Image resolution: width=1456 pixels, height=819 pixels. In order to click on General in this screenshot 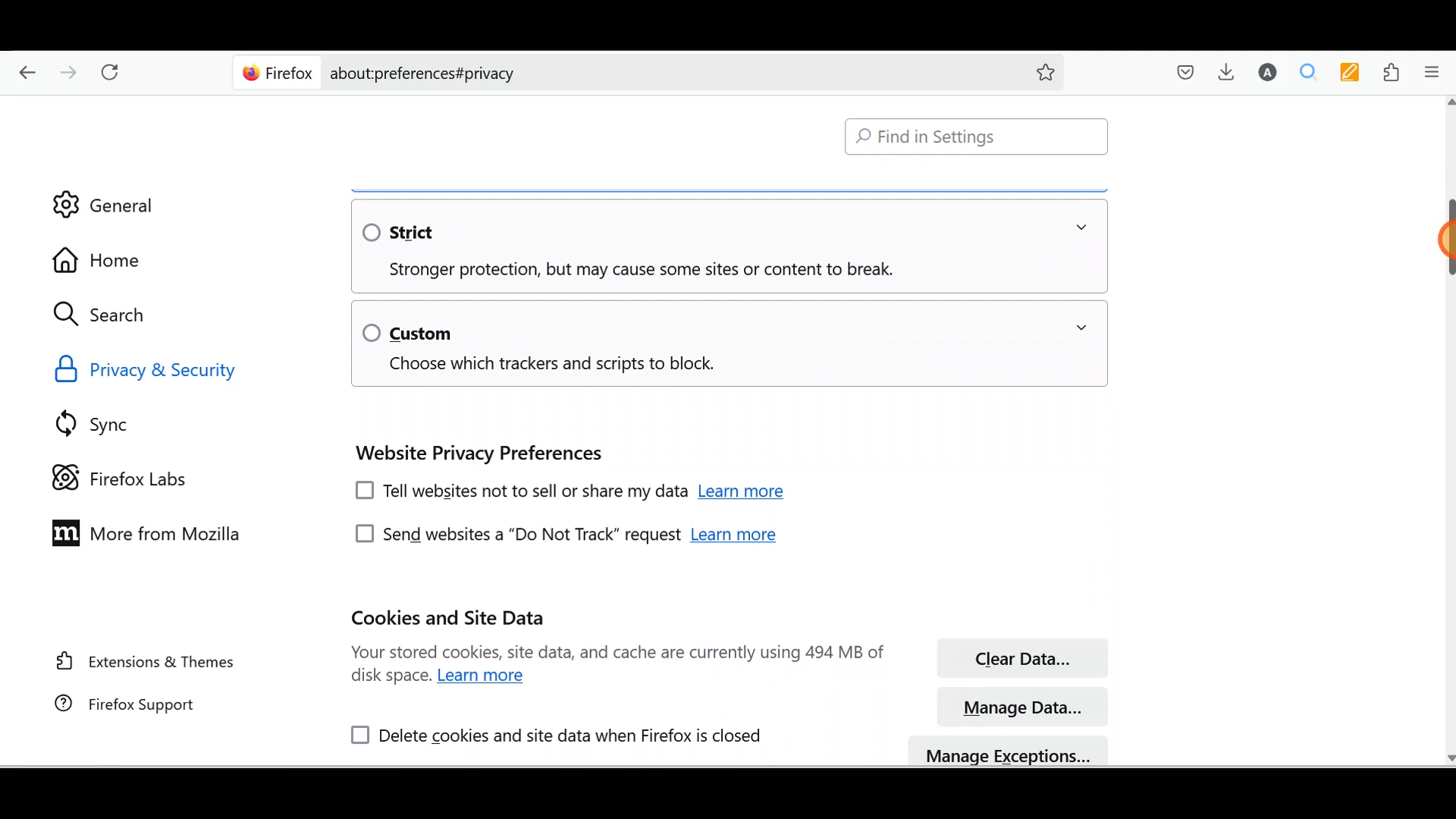, I will do `click(122, 203)`.